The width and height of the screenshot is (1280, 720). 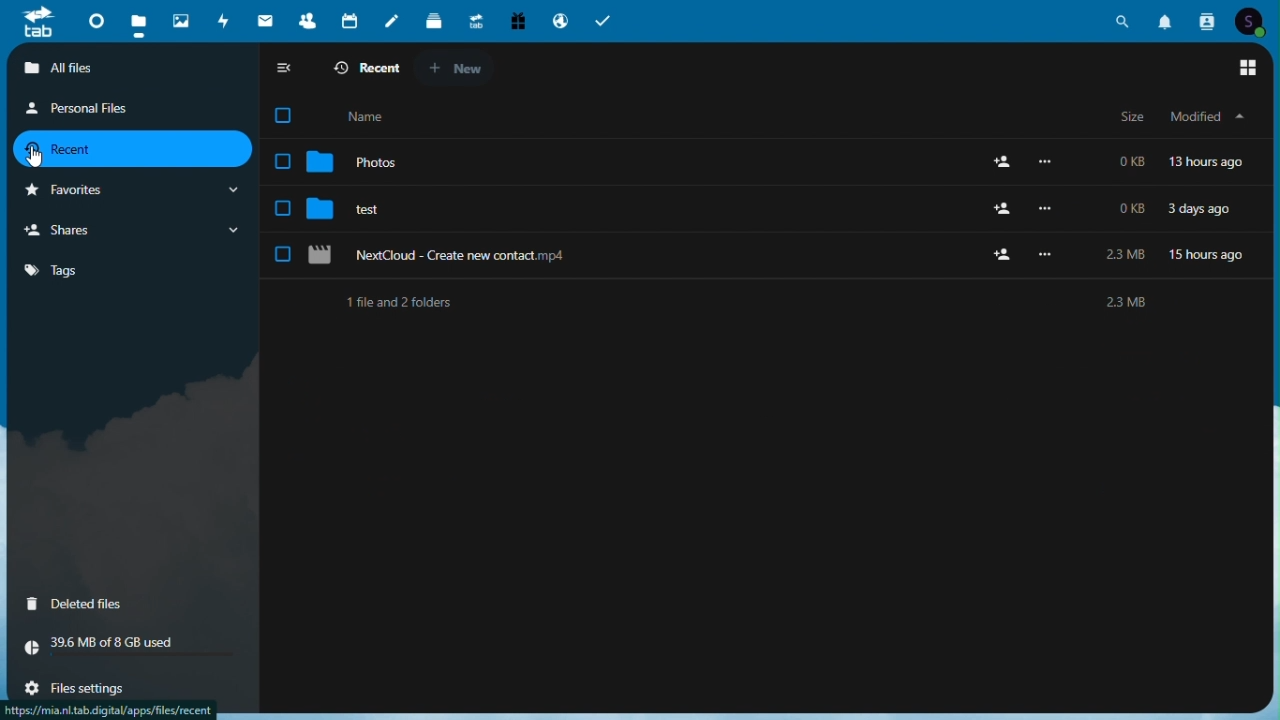 What do you see at coordinates (264, 20) in the screenshot?
I see `mail` at bounding box center [264, 20].